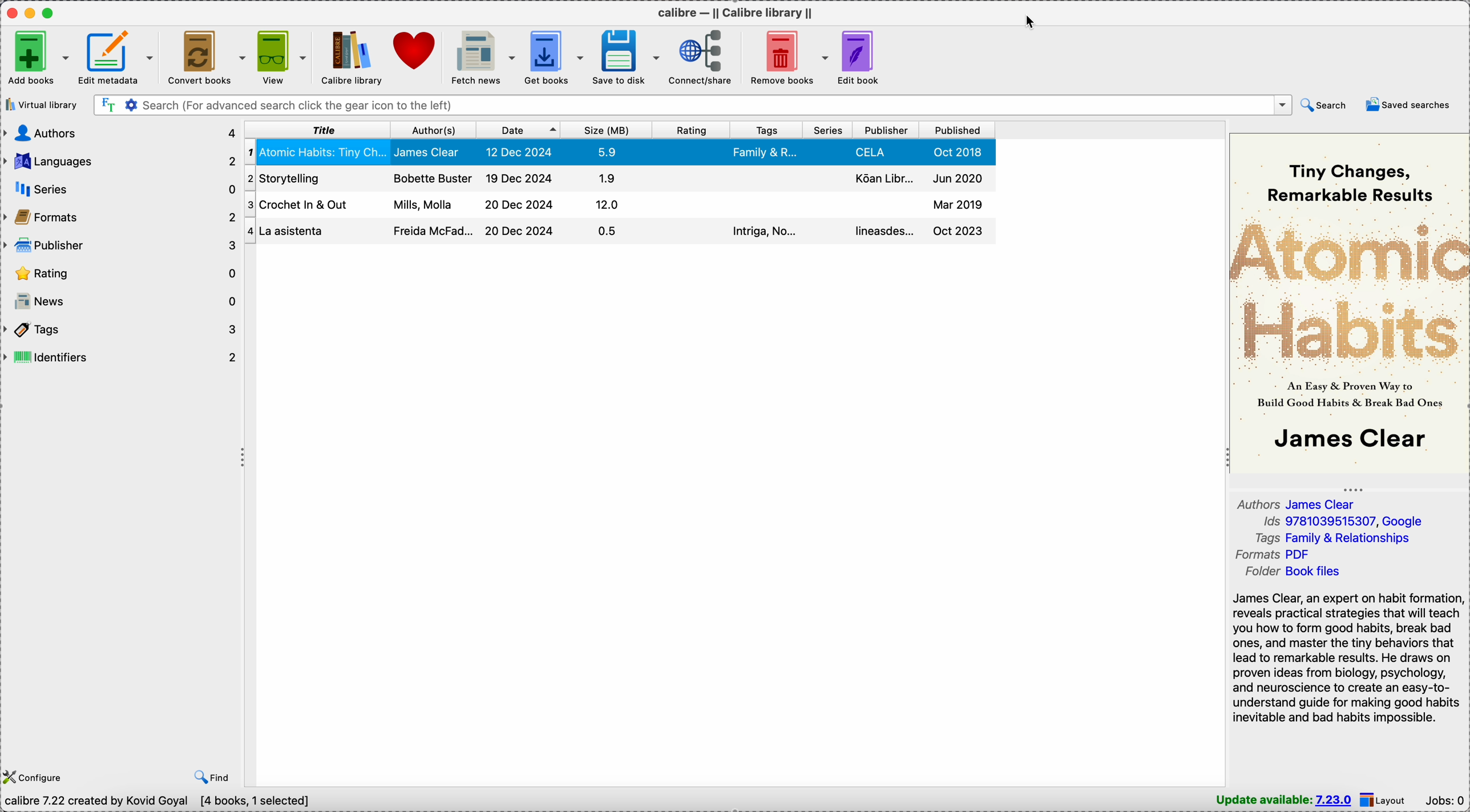  I want to click on virtual library, so click(41, 106).